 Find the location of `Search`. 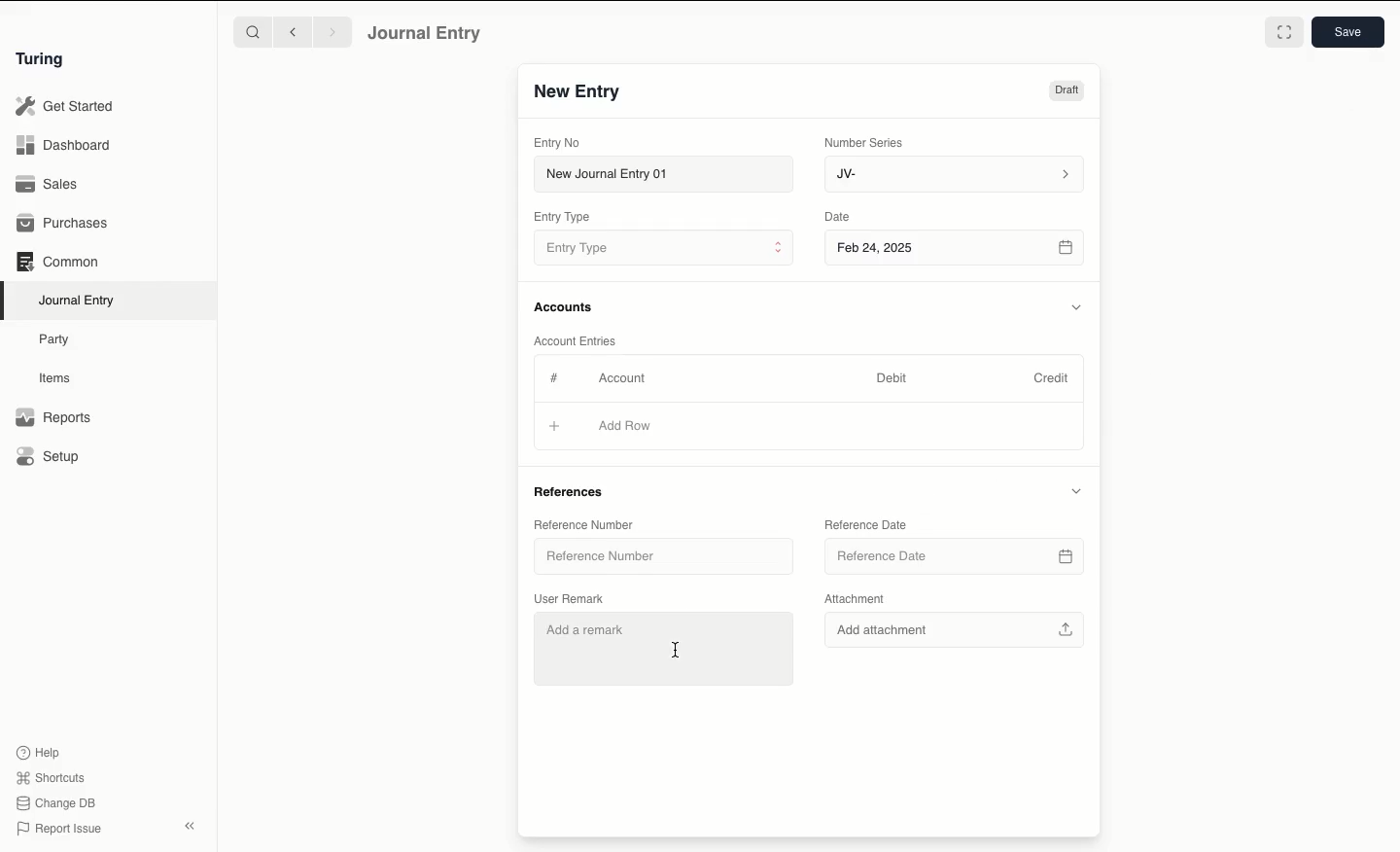

Search is located at coordinates (252, 31).